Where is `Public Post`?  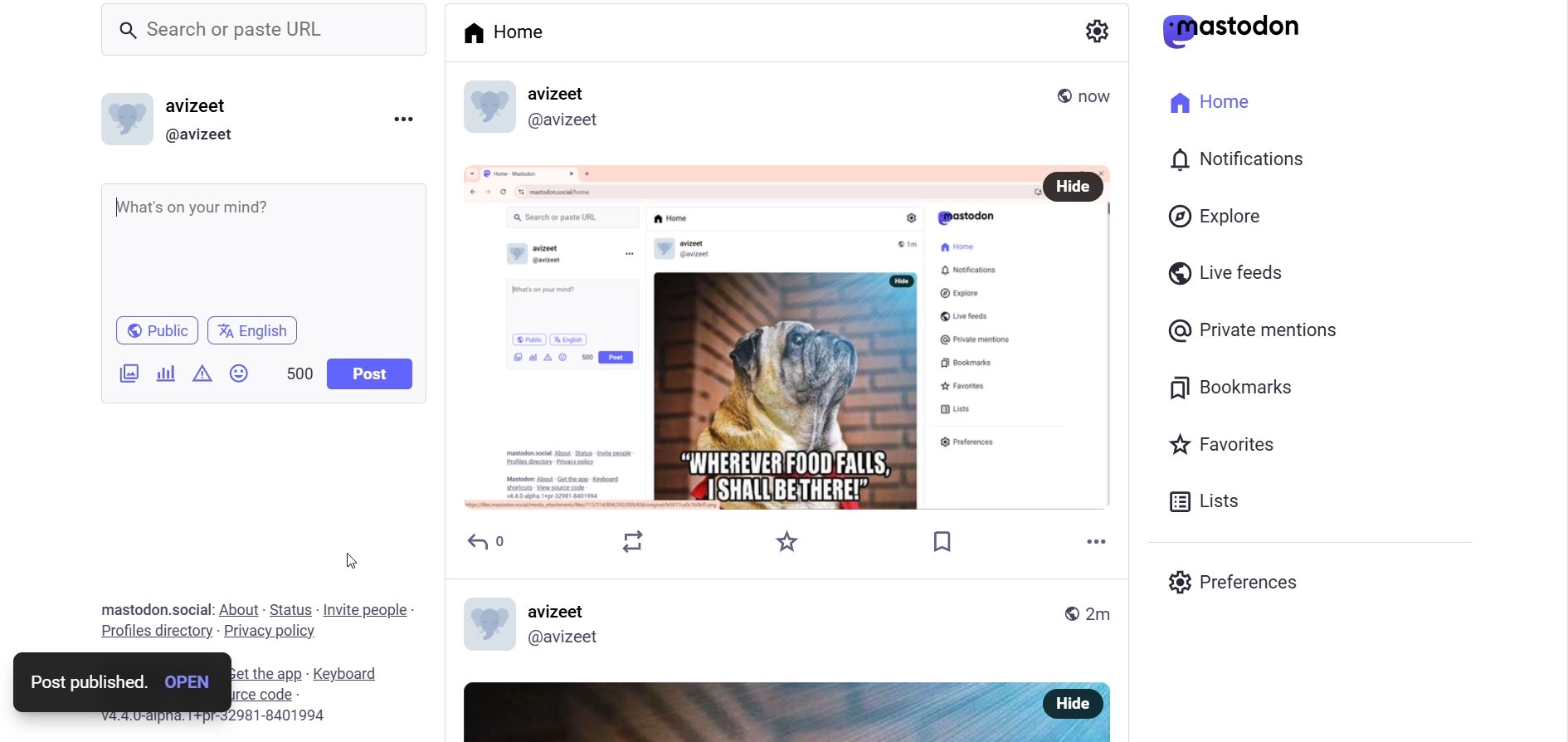
Public Post is located at coordinates (1045, 90).